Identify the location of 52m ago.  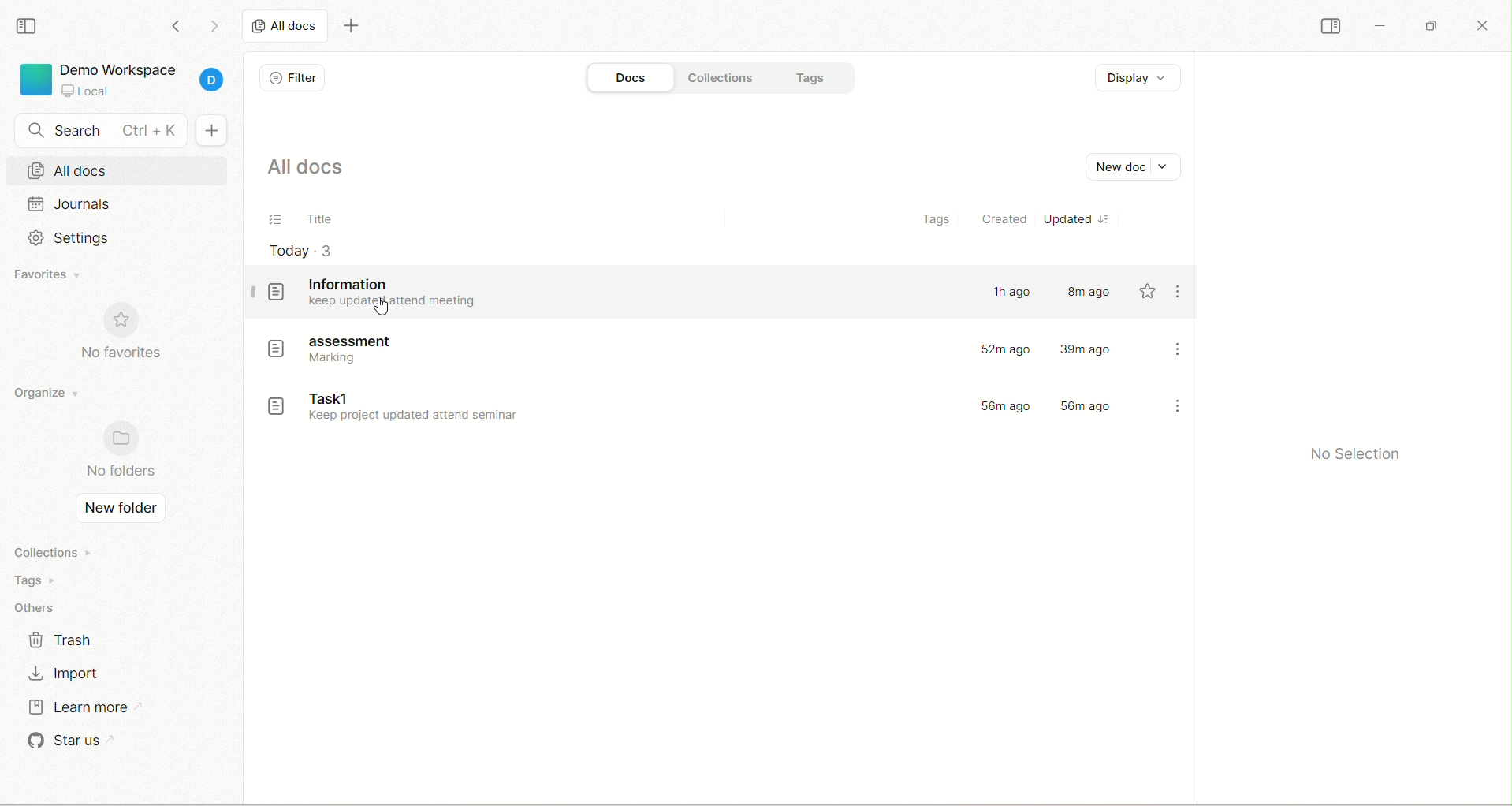
(1005, 351).